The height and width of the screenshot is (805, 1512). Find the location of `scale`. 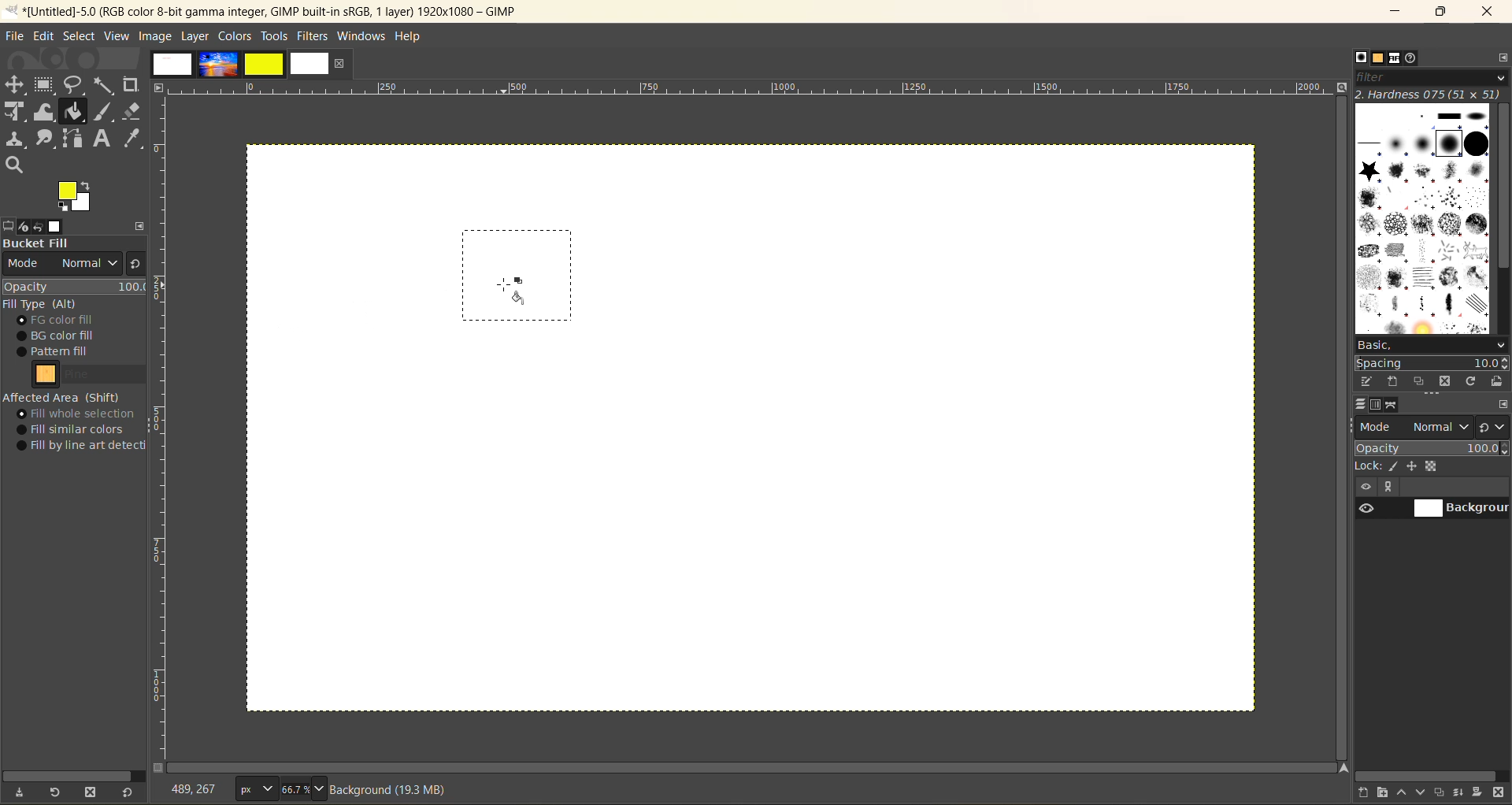

scale is located at coordinates (754, 90).